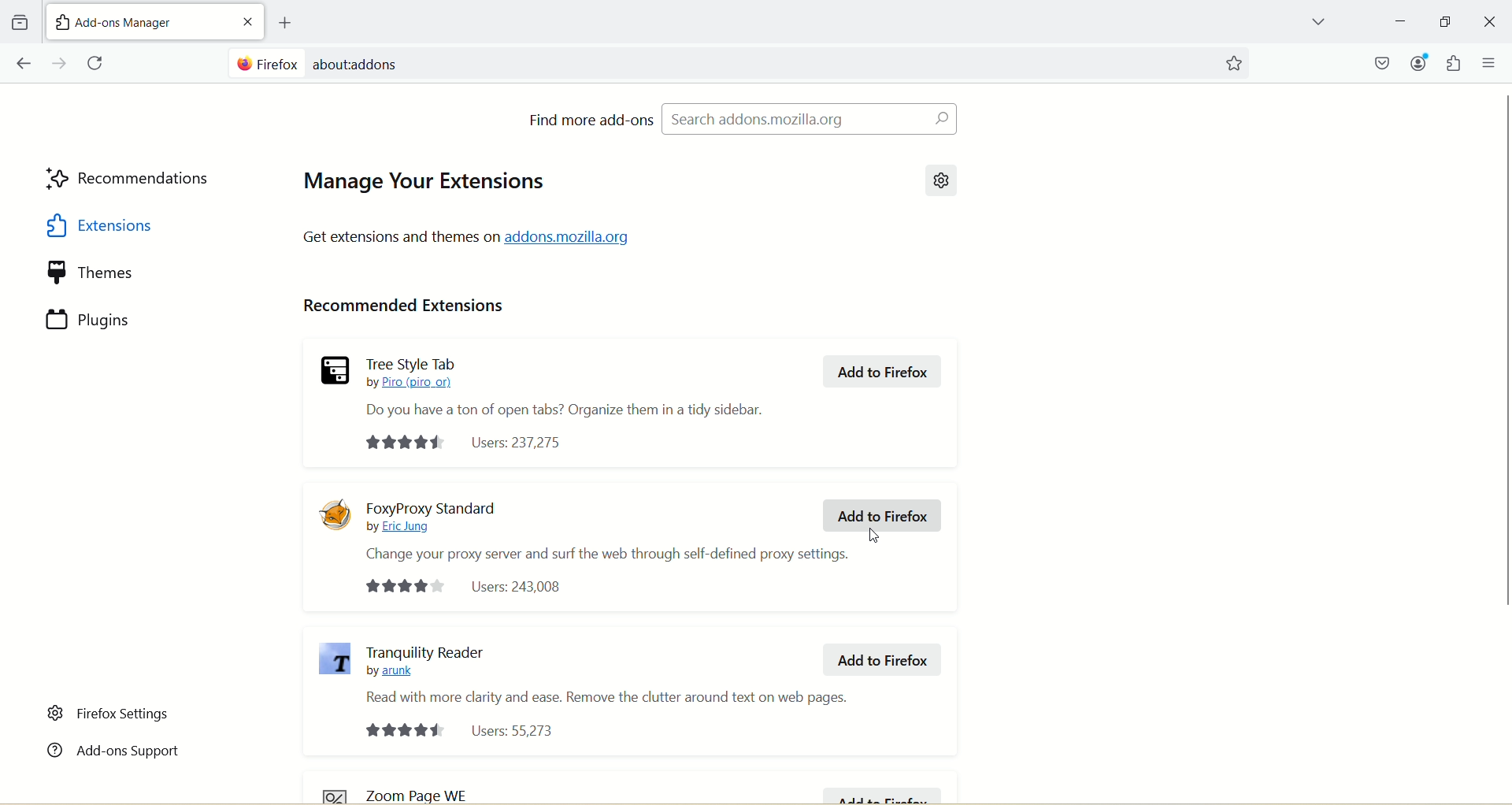 Image resolution: width=1512 pixels, height=805 pixels. What do you see at coordinates (881, 794) in the screenshot?
I see `Add to Firefox` at bounding box center [881, 794].